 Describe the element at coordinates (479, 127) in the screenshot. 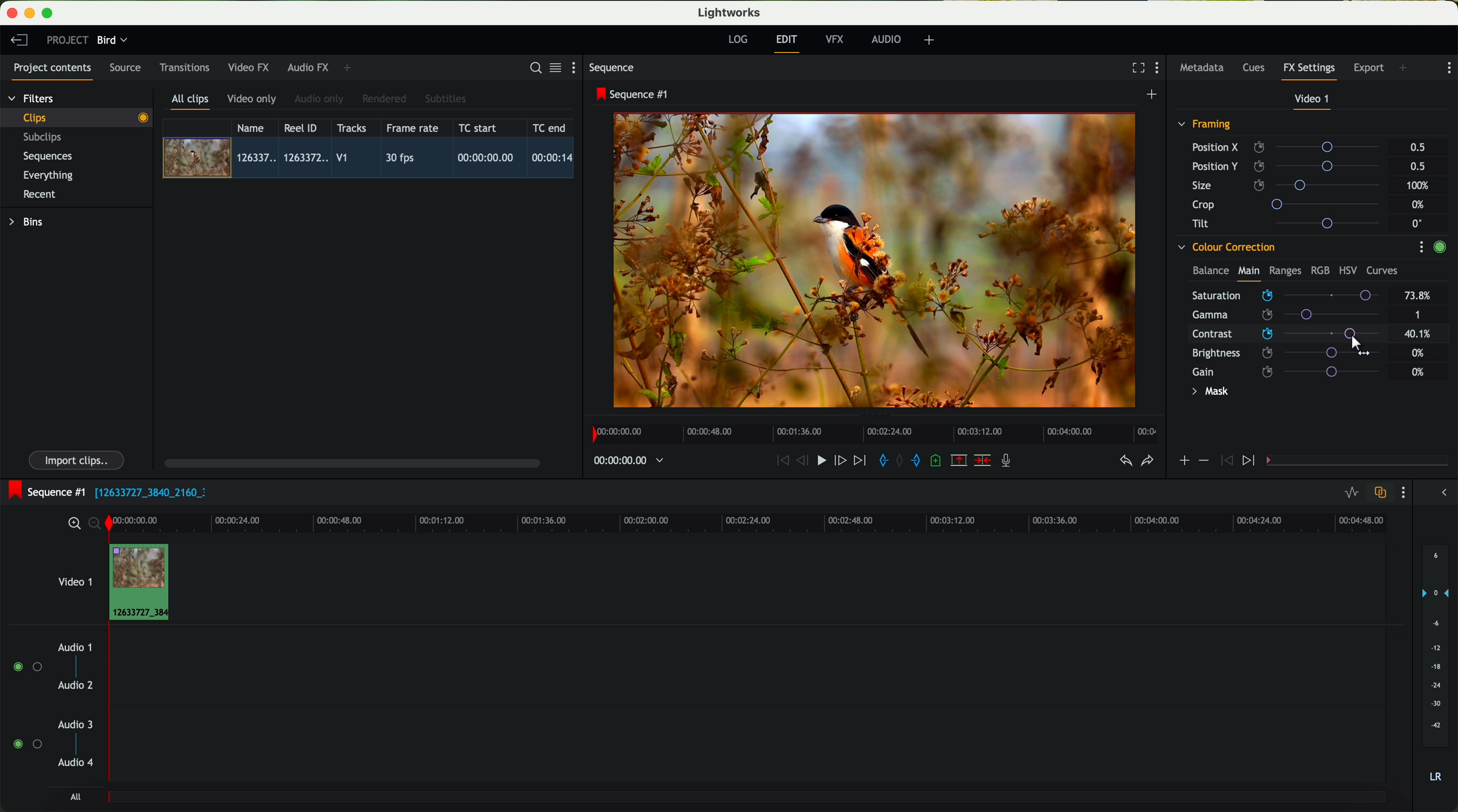

I see `TC start` at that location.